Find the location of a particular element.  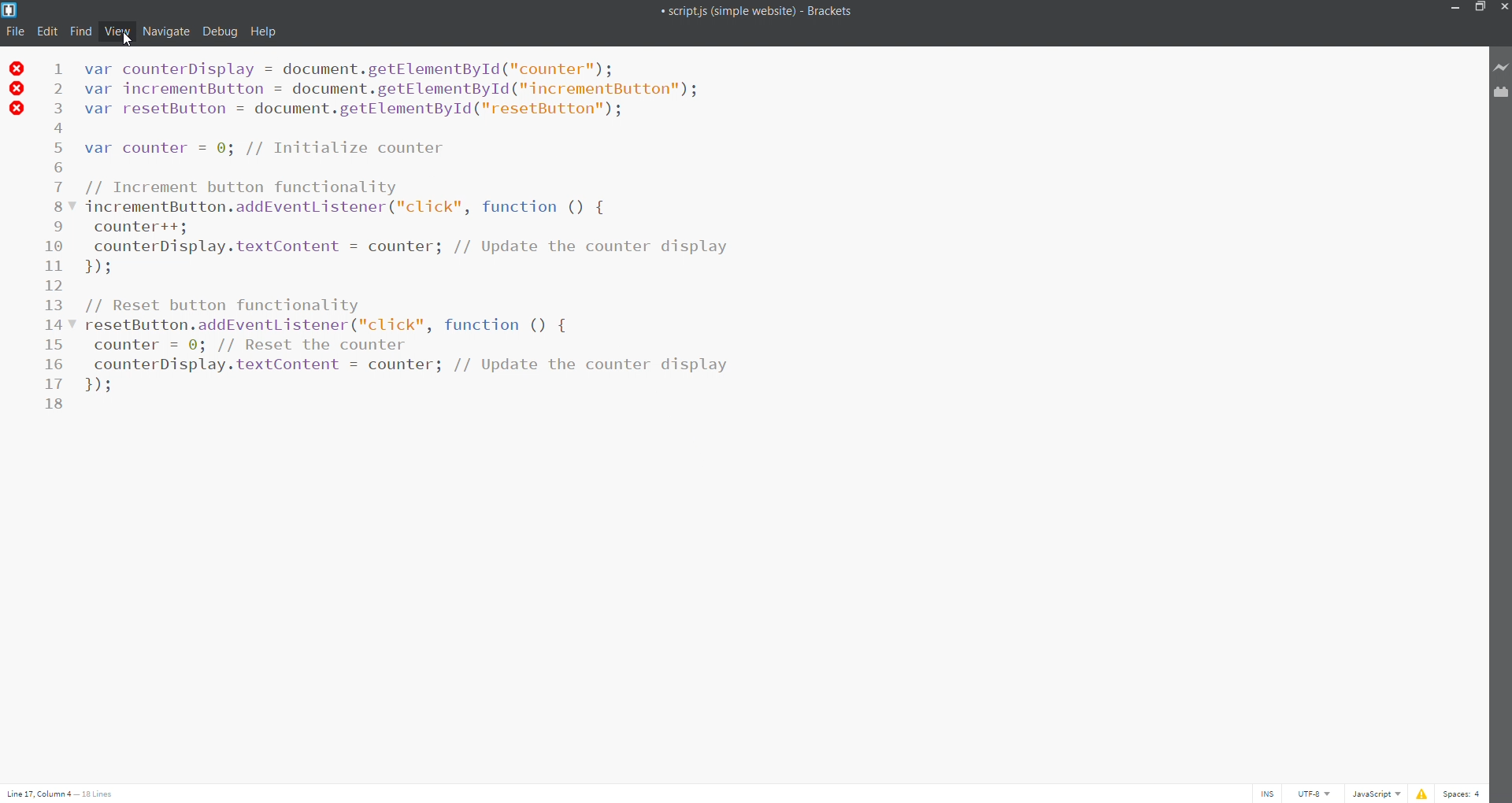

file type is located at coordinates (1377, 794).